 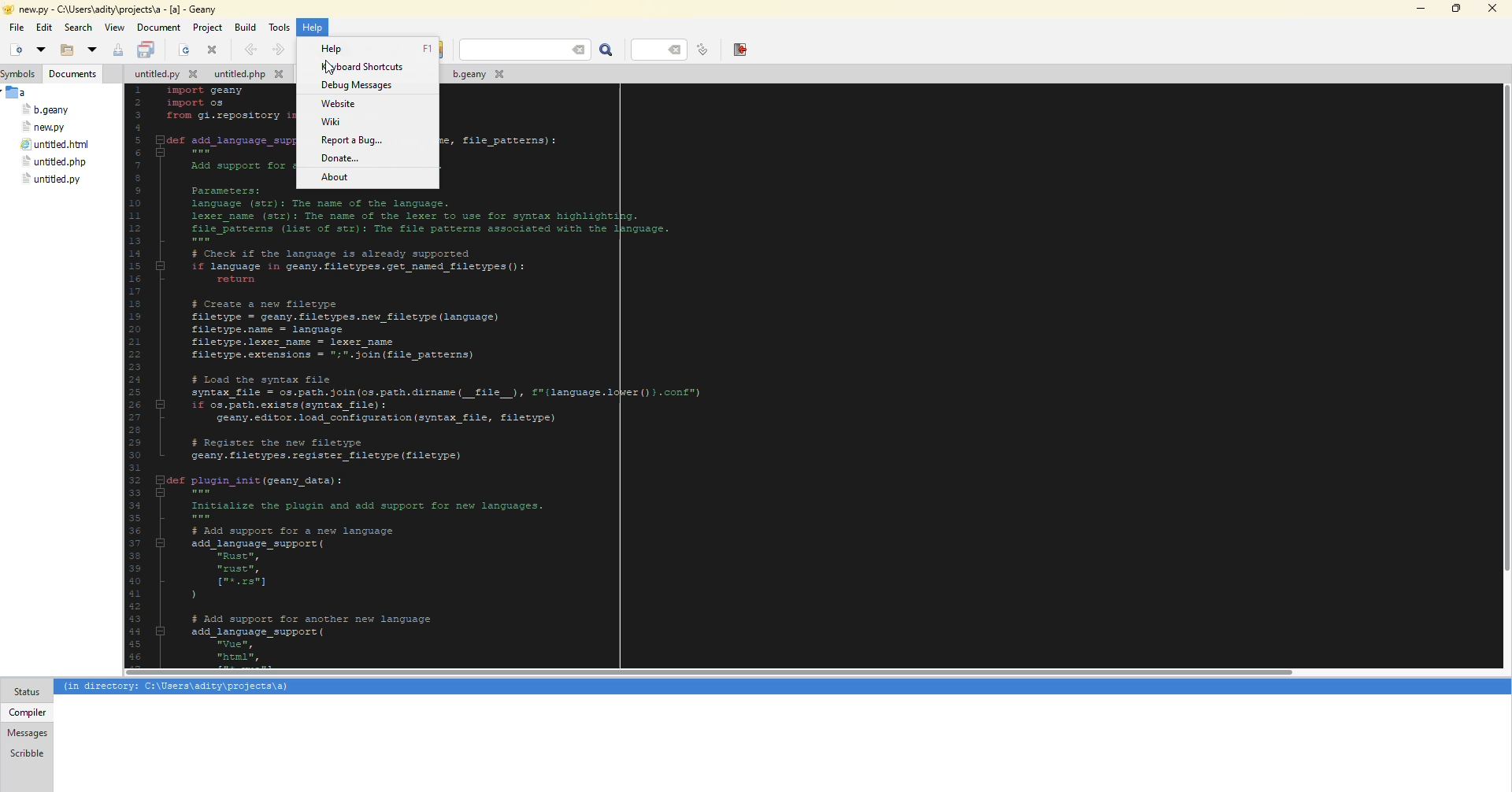 What do you see at coordinates (44, 28) in the screenshot?
I see `edit` at bounding box center [44, 28].